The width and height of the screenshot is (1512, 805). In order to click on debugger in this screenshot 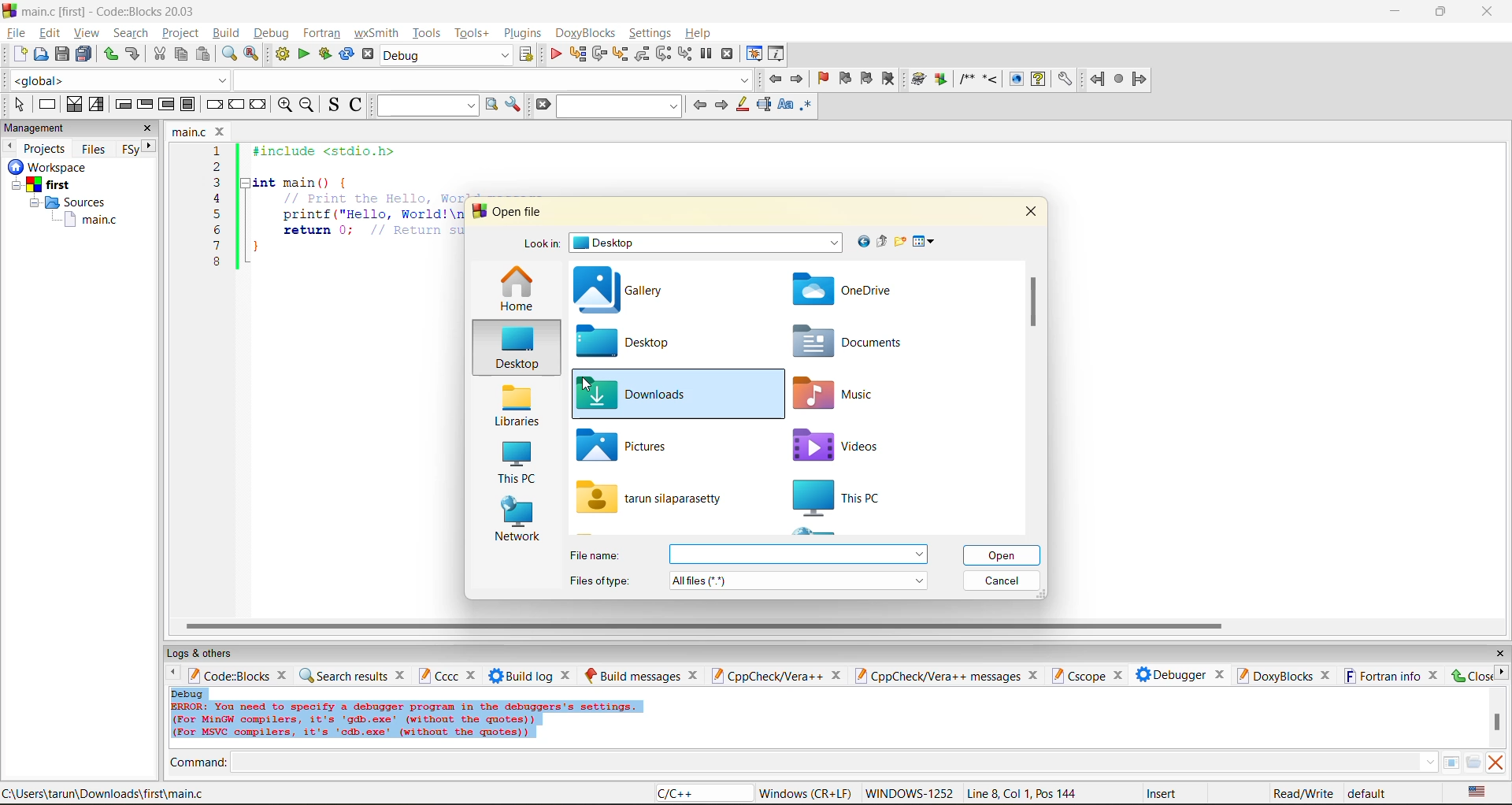, I will do `click(1170, 674)`.